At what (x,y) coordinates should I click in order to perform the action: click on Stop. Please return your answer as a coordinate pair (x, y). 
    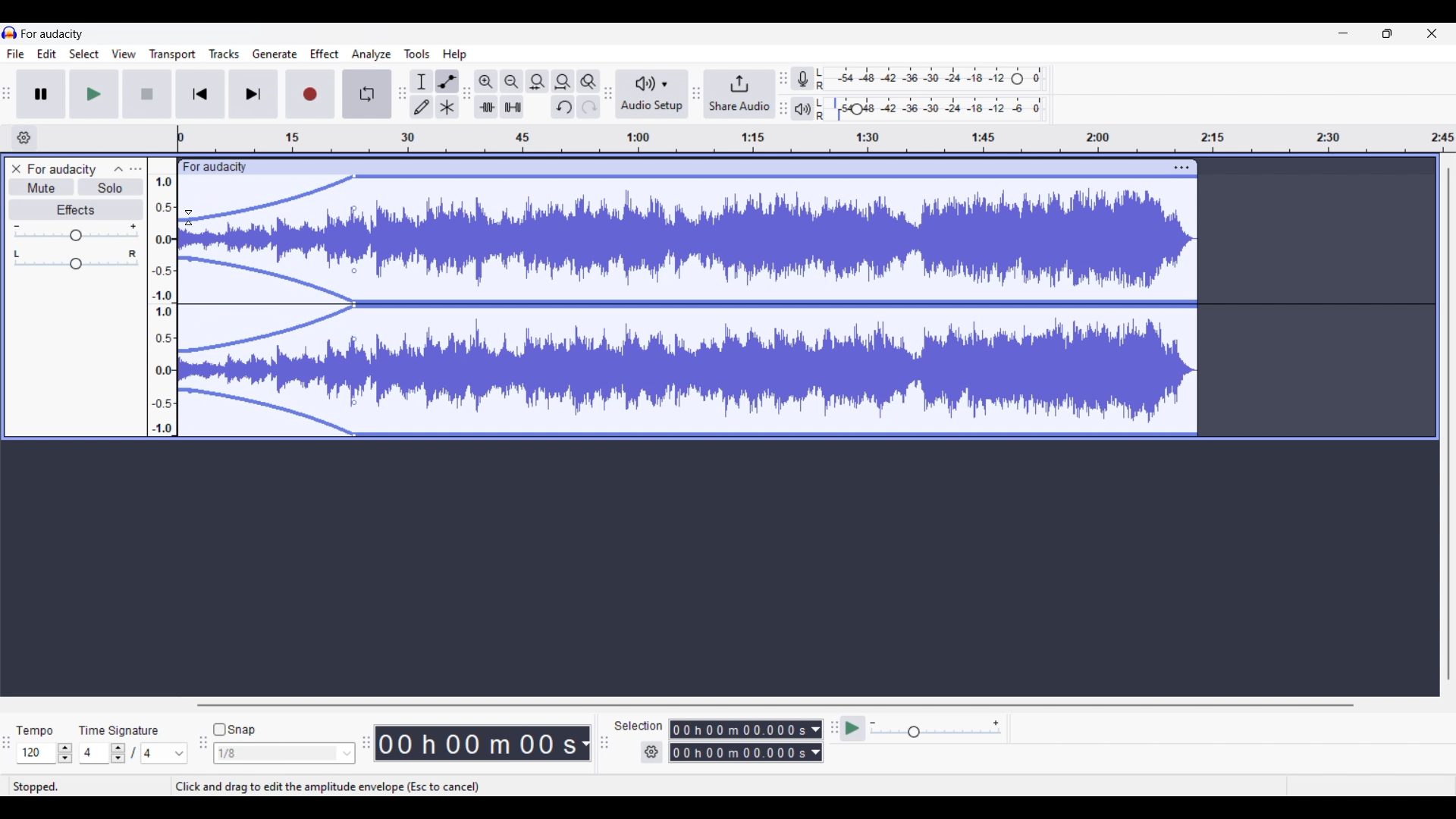
    Looking at the image, I should click on (148, 94).